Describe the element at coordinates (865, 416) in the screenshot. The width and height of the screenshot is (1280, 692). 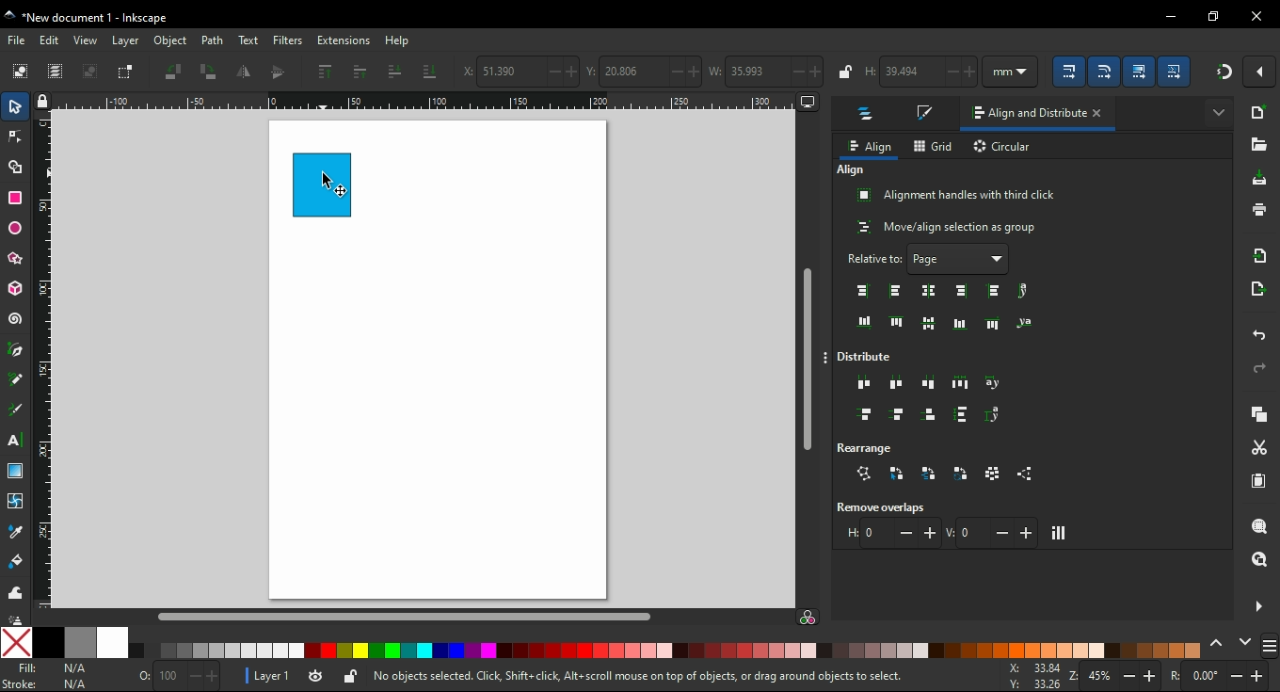
I see `distribute vertically with even spacing between top edges` at that location.